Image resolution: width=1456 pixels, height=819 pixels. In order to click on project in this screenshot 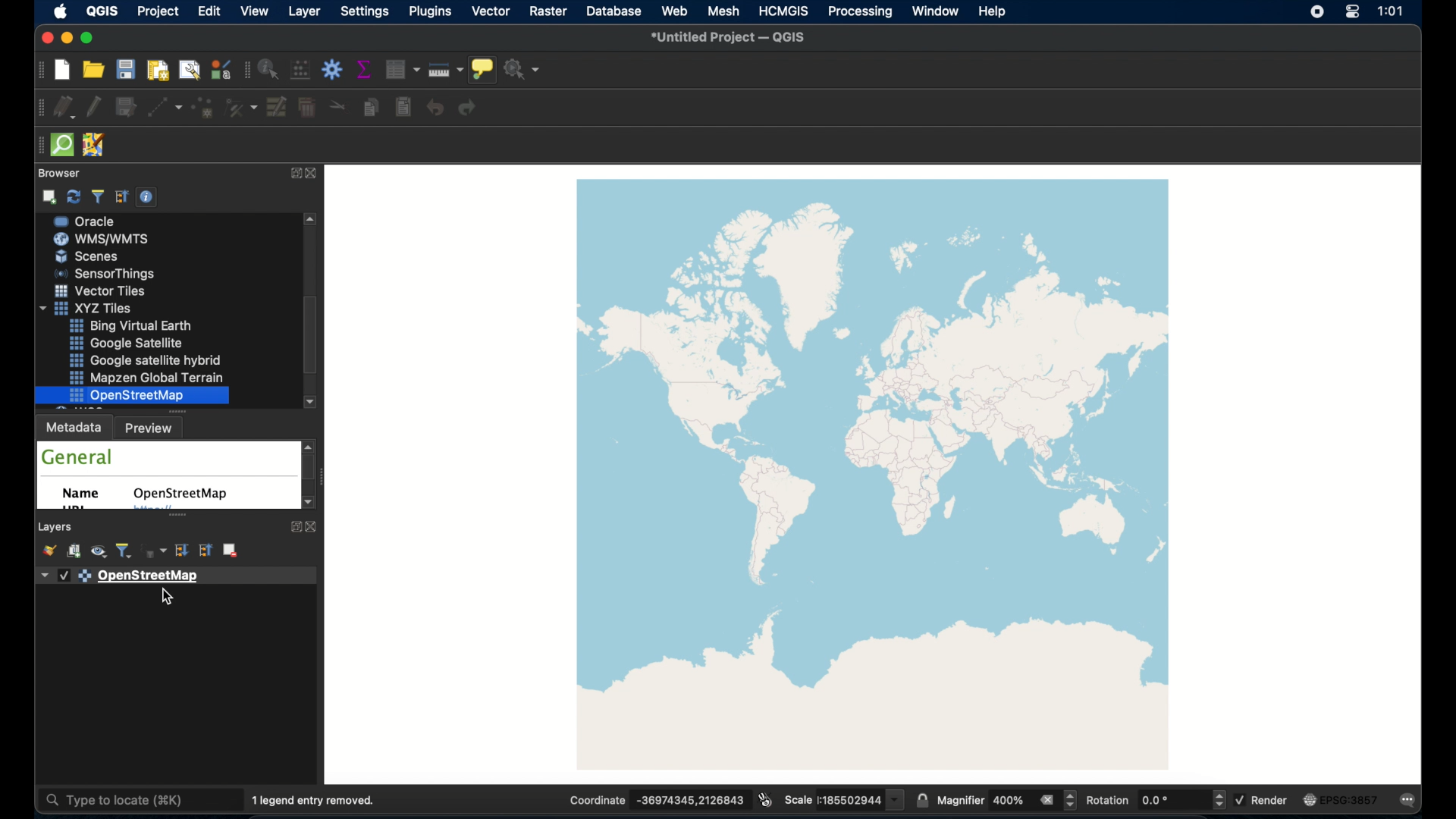, I will do `click(158, 11)`.